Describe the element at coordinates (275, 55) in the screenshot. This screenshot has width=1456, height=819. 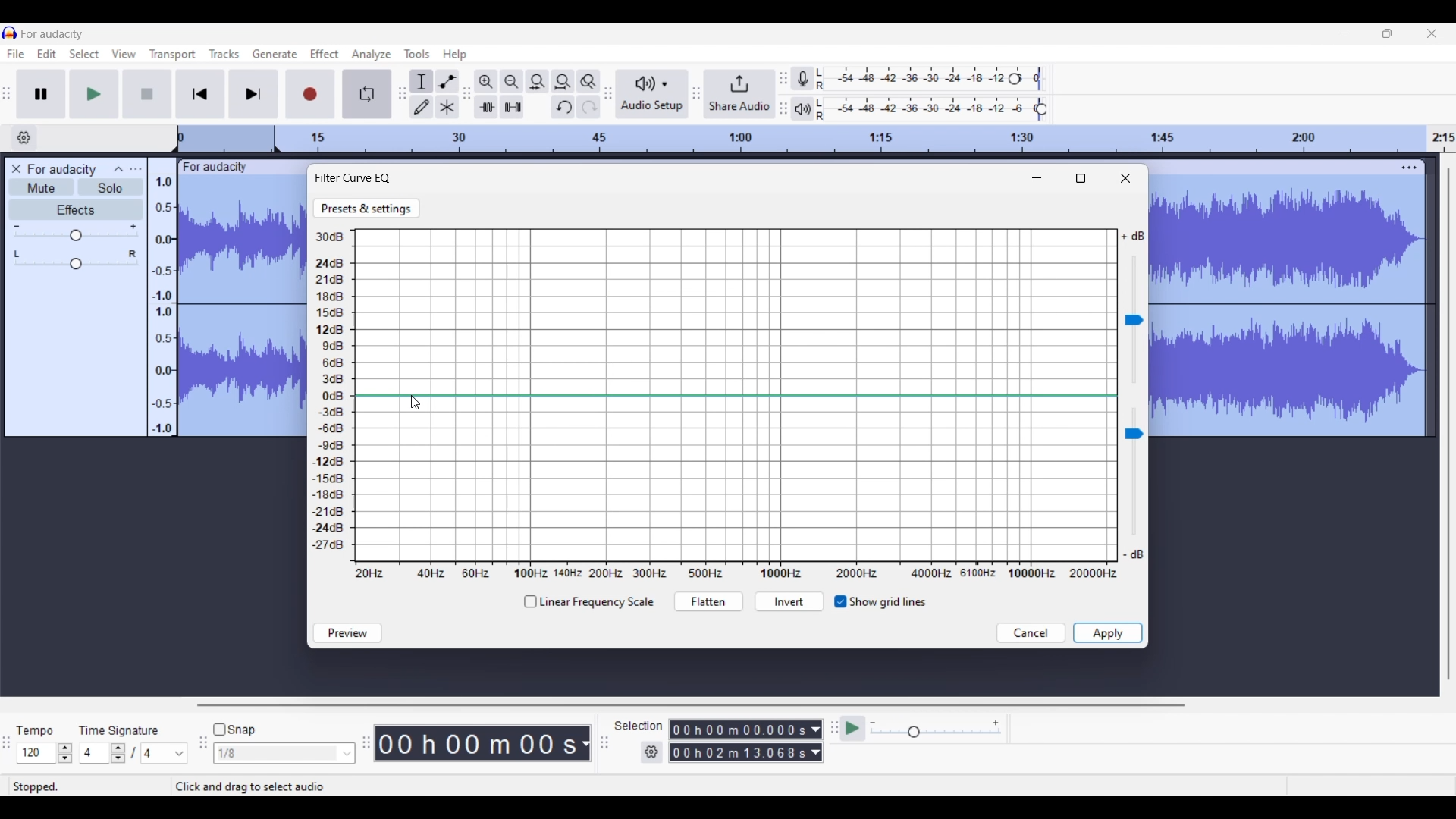
I see `Generate menu` at that location.